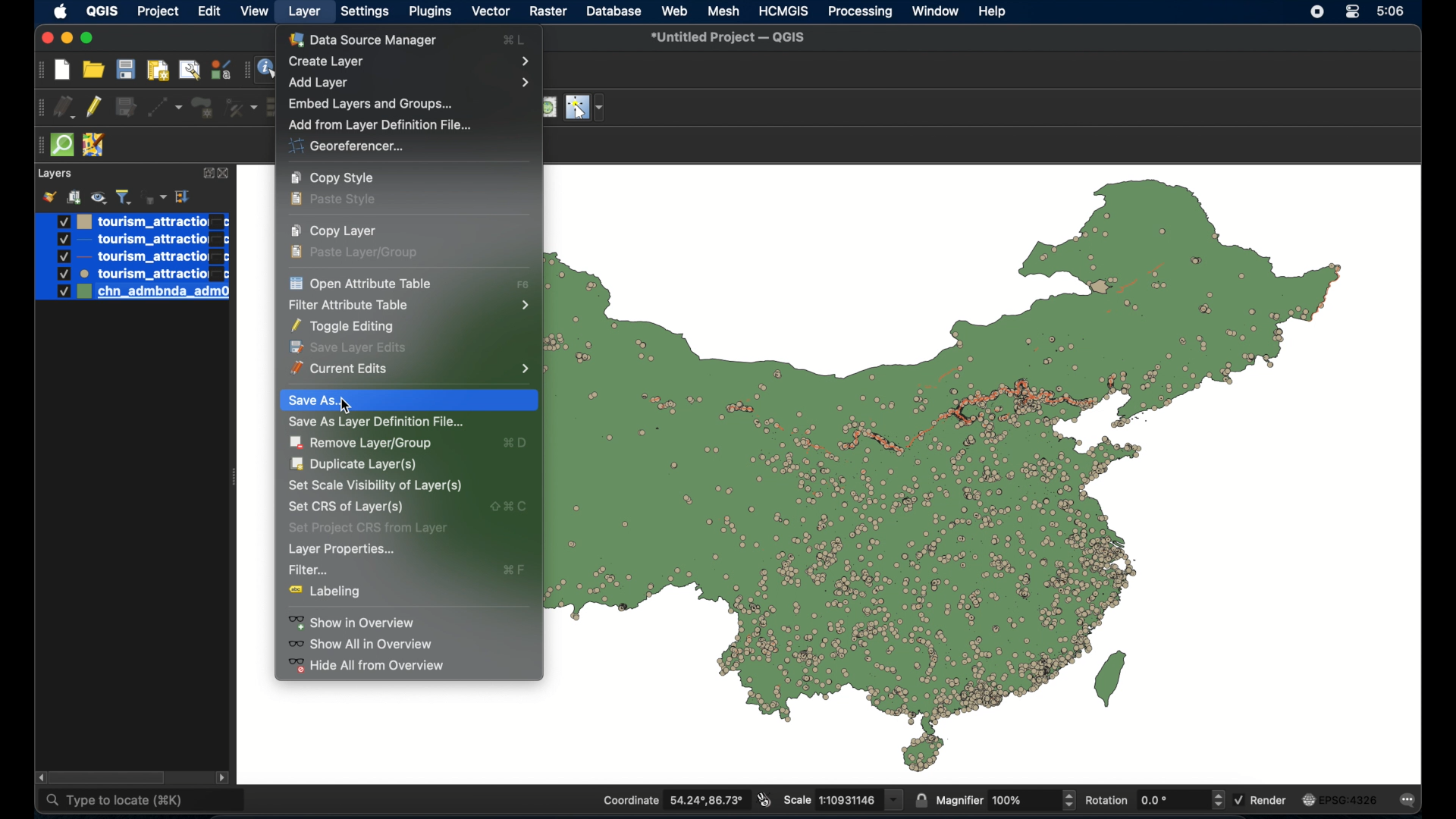  What do you see at coordinates (312, 571) in the screenshot?
I see `filter` at bounding box center [312, 571].